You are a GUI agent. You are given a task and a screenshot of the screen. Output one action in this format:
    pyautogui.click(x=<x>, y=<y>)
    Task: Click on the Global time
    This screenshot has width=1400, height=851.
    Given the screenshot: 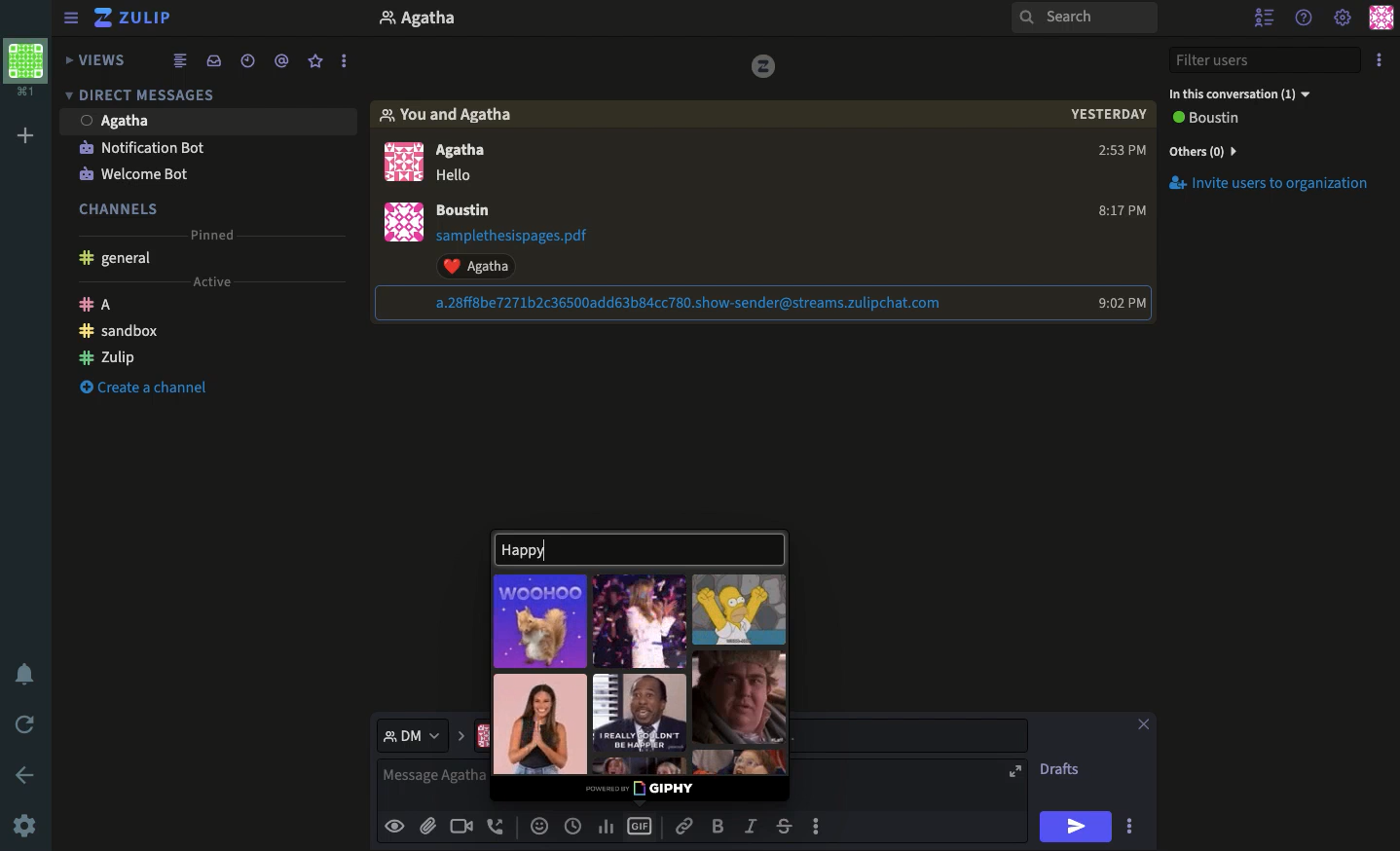 What is the action you would take?
    pyautogui.click(x=573, y=825)
    